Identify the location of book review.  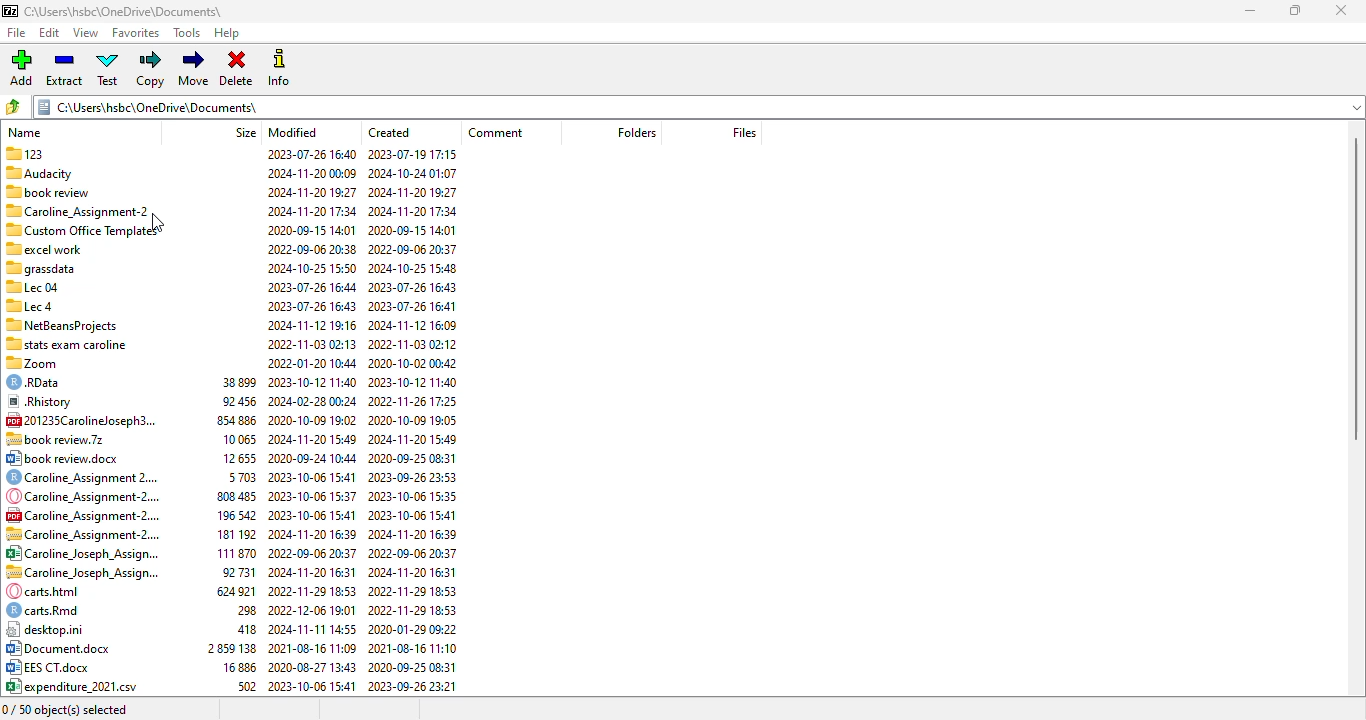
(54, 192).